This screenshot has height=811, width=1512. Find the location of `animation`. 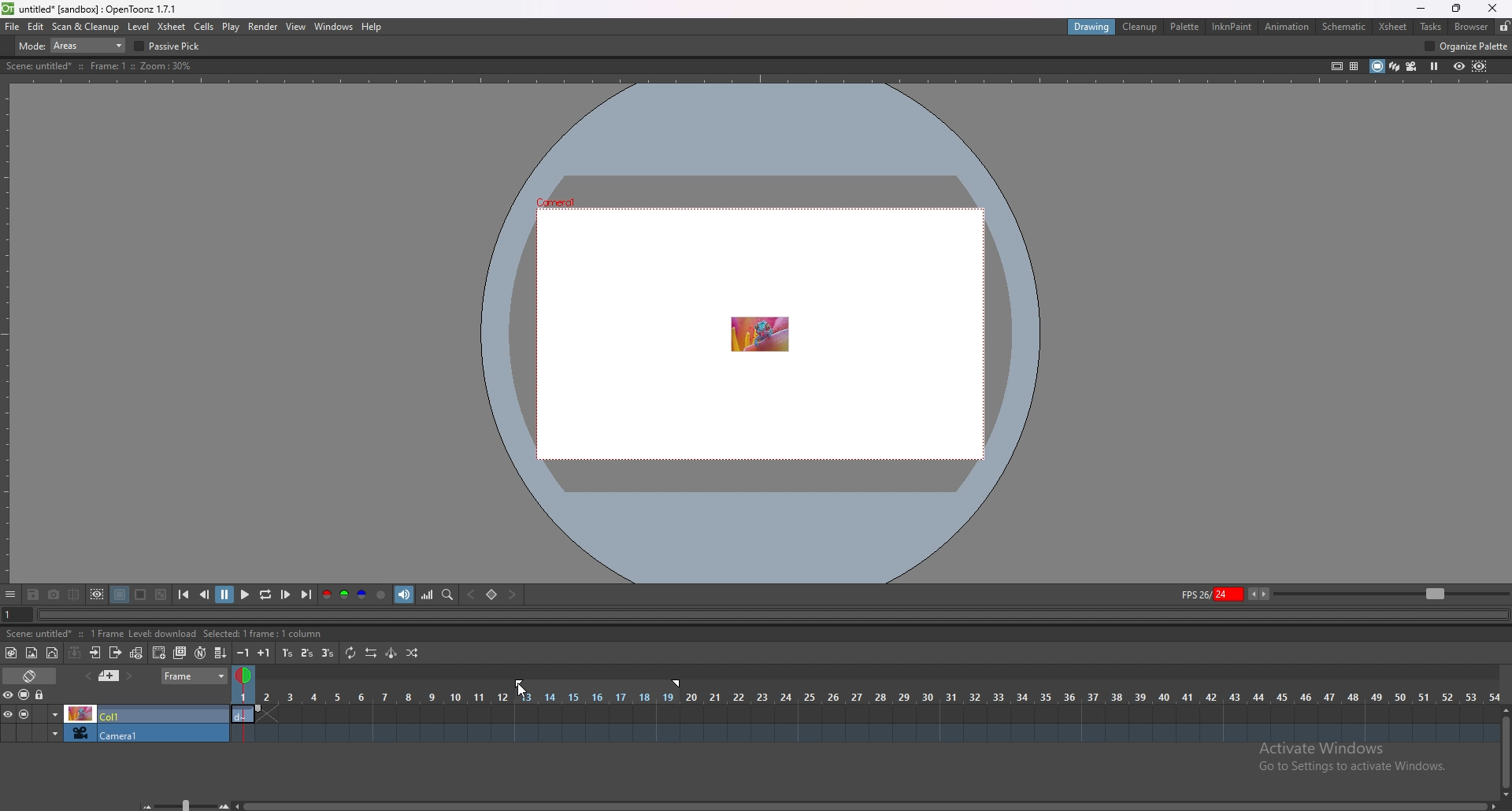

animation is located at coordinates (1287, 28).